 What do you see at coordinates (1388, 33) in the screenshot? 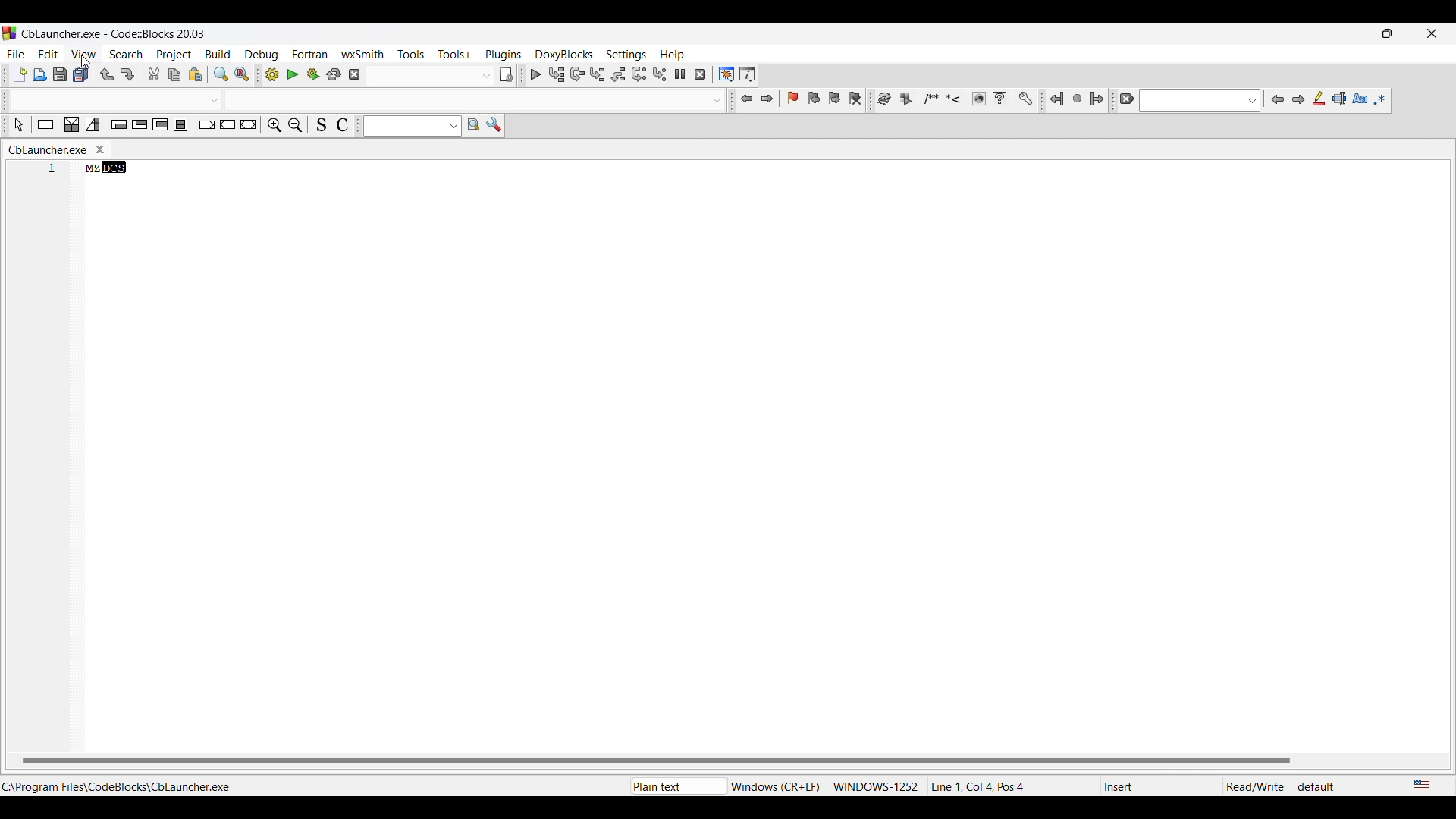
I see `Show interface in a smaller tab` at bounding box center [1388, 33].